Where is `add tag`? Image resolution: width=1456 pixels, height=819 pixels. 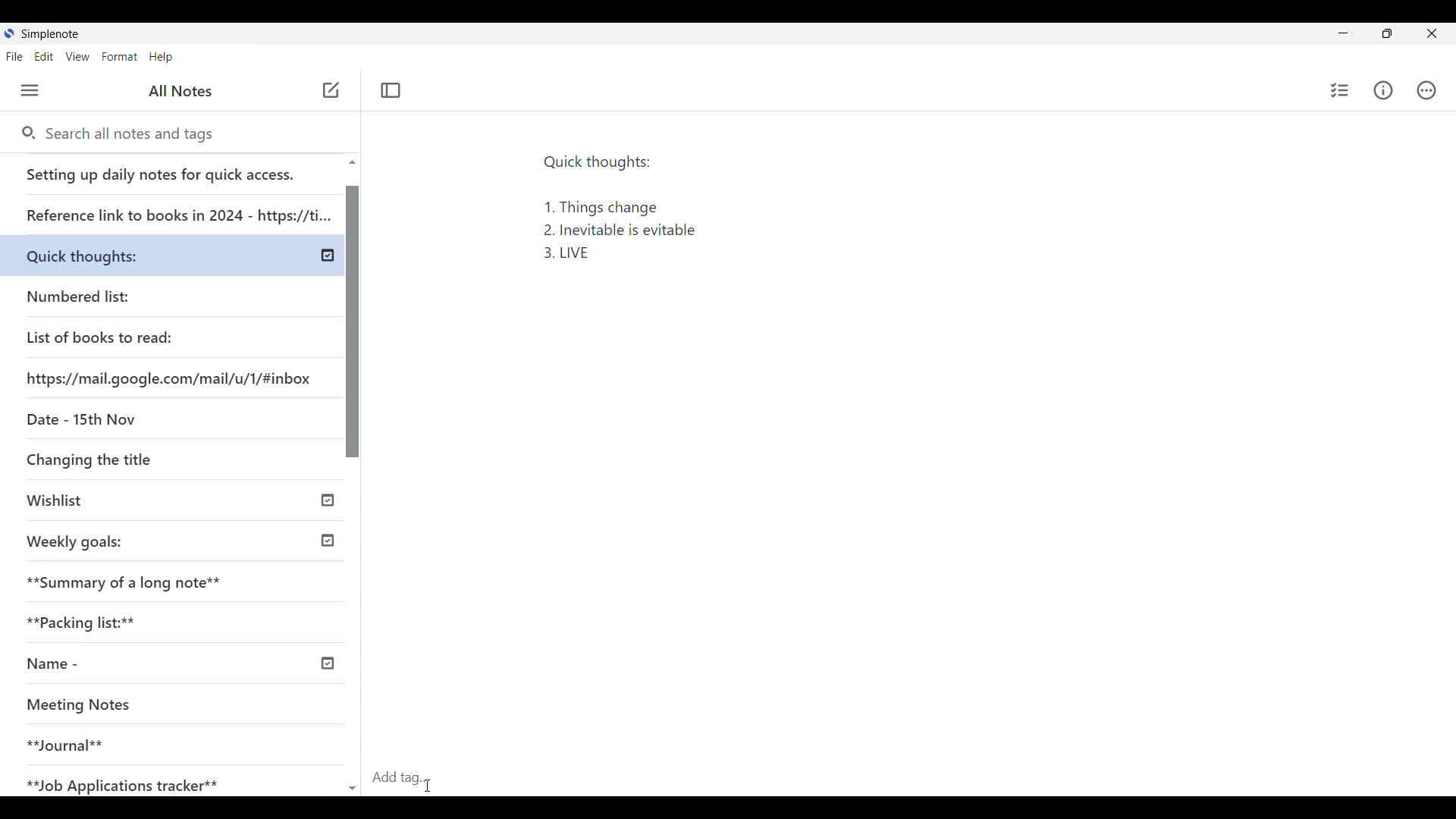
add tag is located at coordinates (409, 776).